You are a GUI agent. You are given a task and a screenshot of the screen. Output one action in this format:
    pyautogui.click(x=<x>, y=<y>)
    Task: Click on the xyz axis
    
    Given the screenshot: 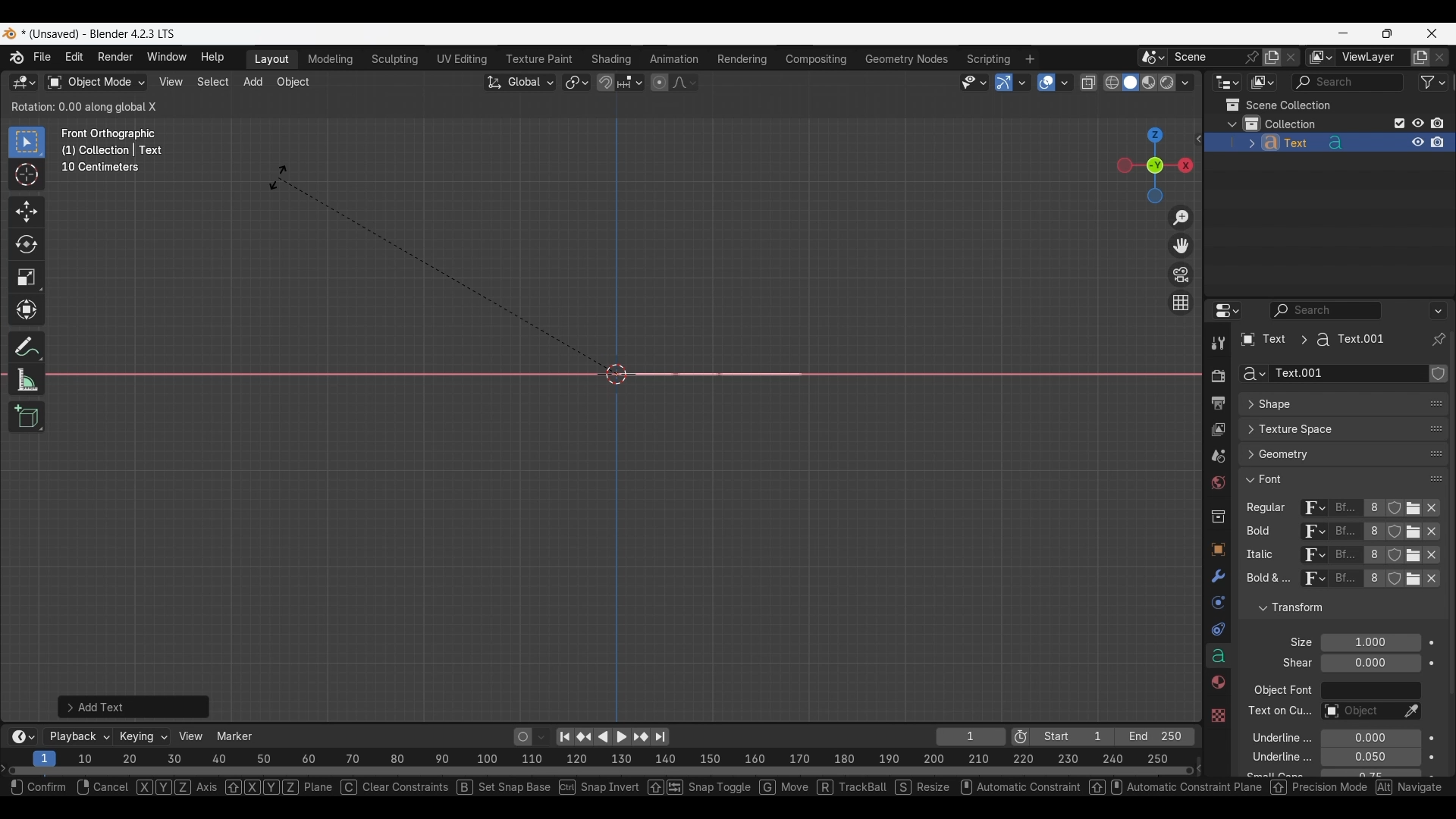 What is the action you would take?
    pyautogui.click(x=178, y=789)
    